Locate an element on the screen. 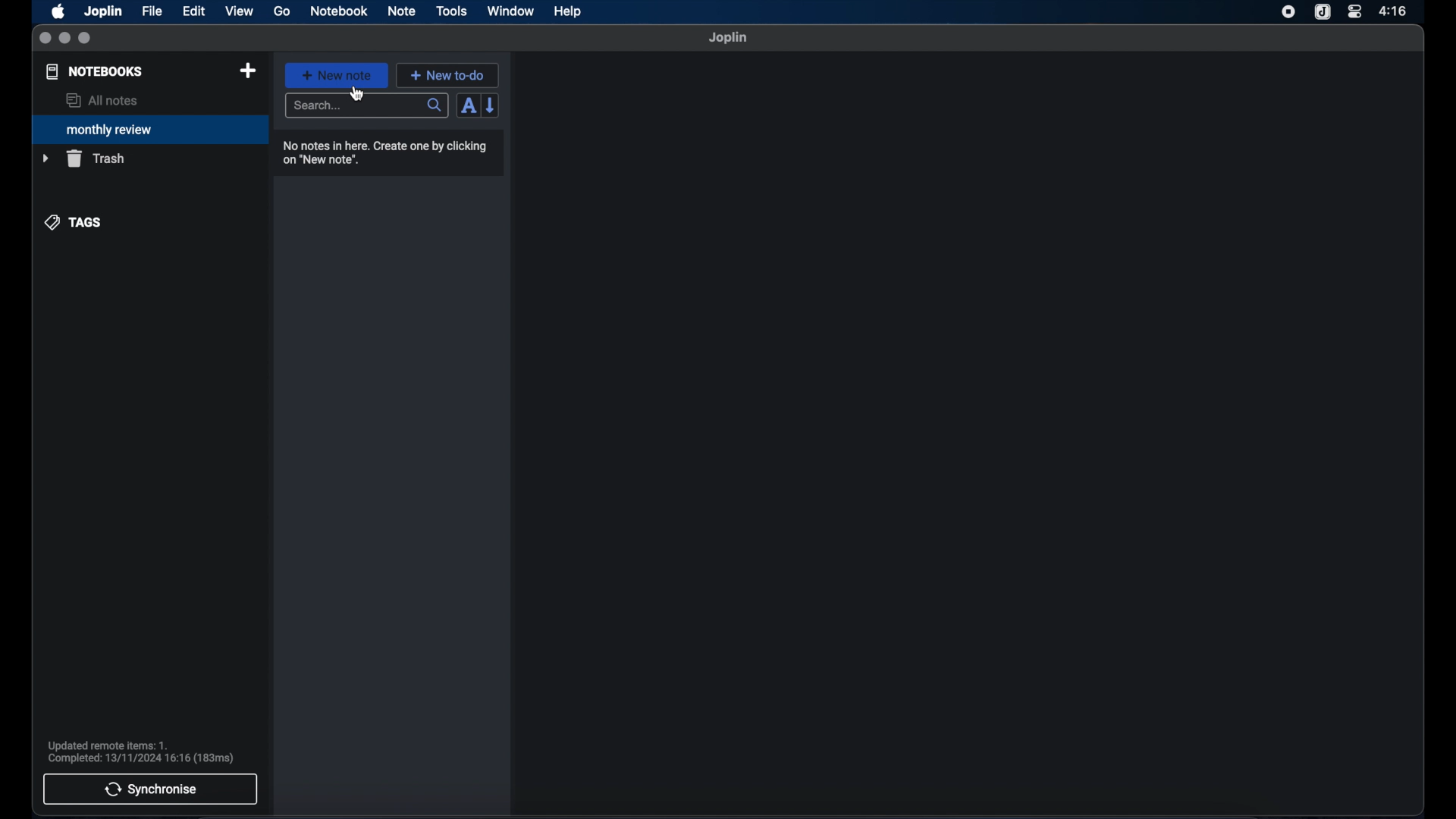  note is located at coordinates (402, 11).